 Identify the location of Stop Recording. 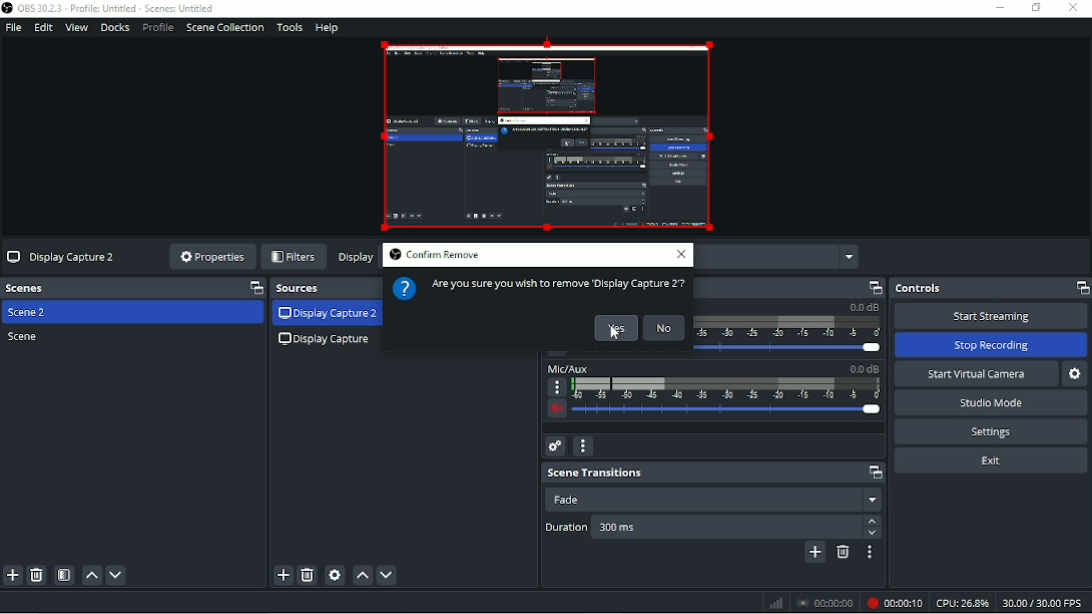
(992, 345).